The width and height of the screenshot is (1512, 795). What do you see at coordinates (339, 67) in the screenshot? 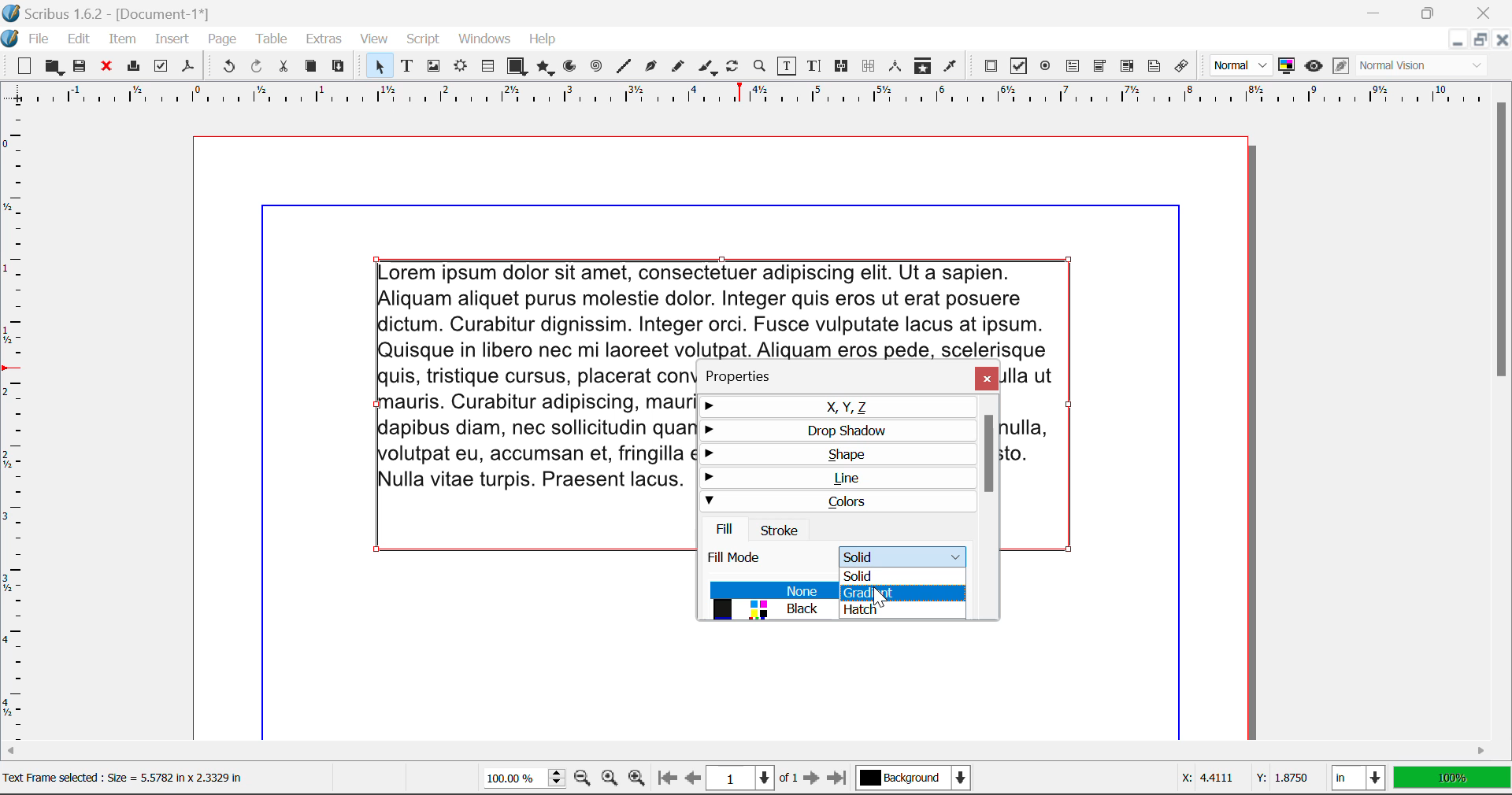
I see `Paste` at bounding box center [339, 67].